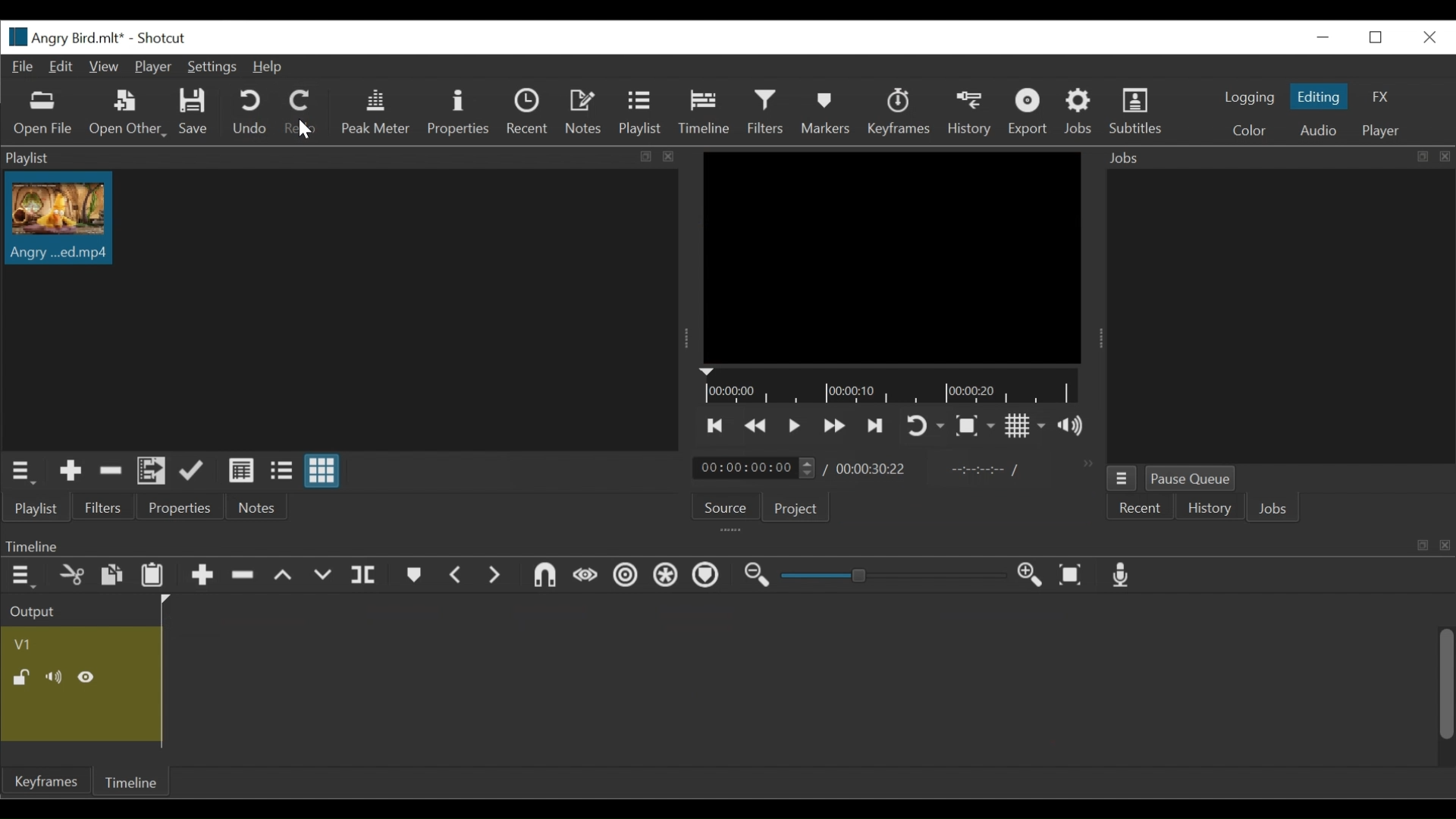 This screenshot has height=819, width=1456. What do you see at coordinates (835, 426) in the screenshot?
I see `Play quickly forward` at bounding box center [835, 426].